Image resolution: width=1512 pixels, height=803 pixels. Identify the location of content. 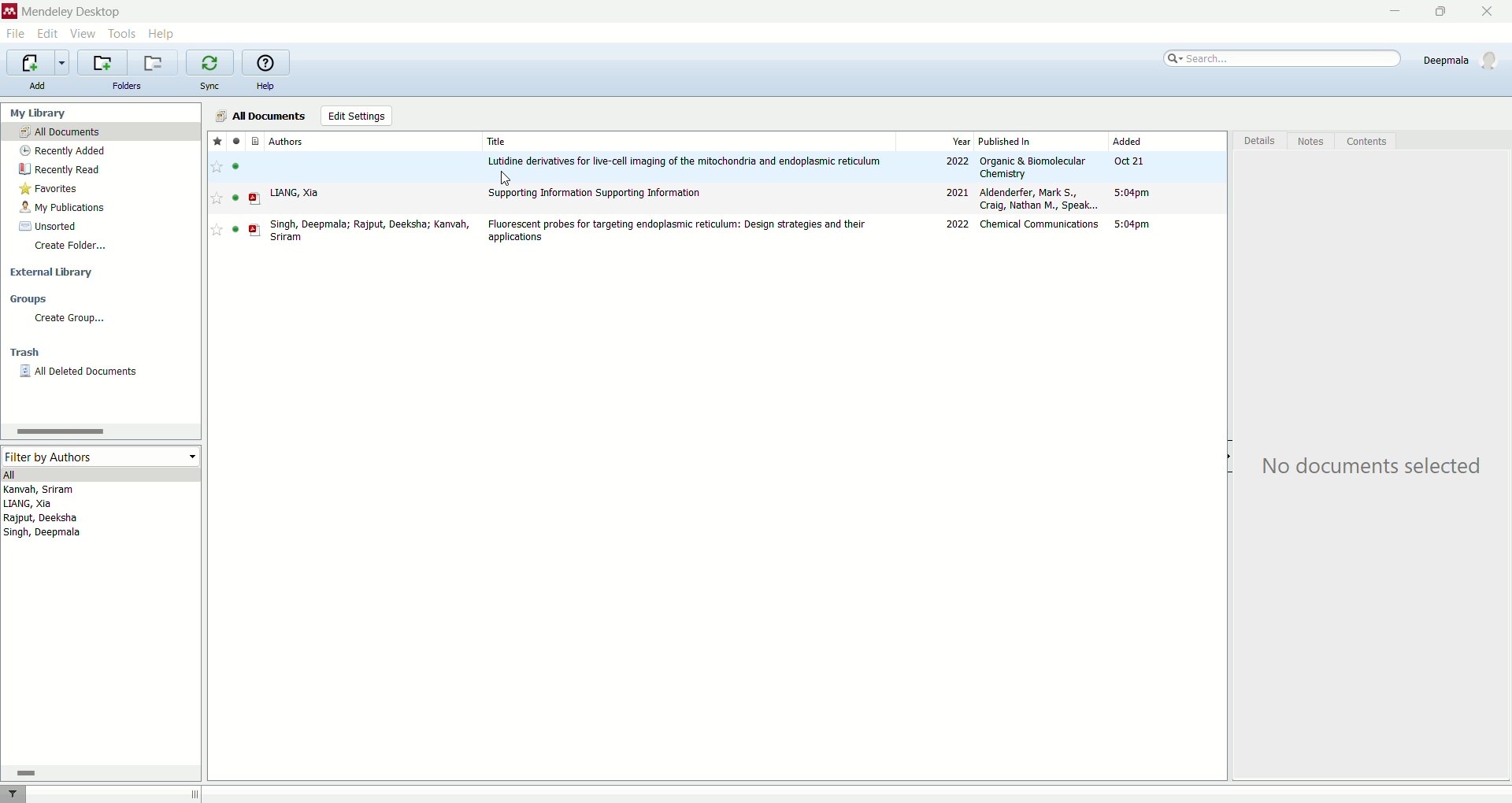
(1364, 142).